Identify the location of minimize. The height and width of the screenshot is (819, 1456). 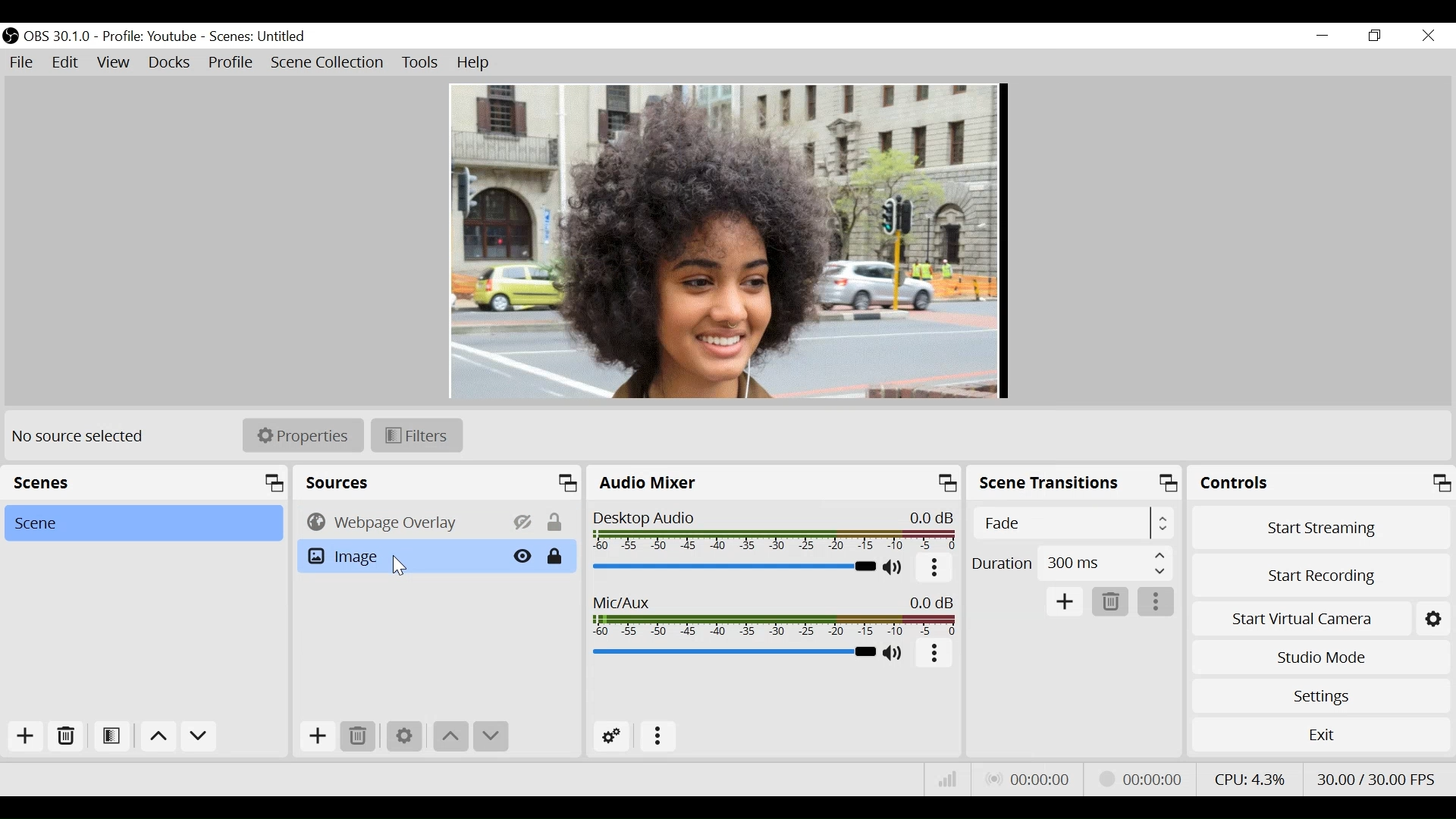
(1322, 36).